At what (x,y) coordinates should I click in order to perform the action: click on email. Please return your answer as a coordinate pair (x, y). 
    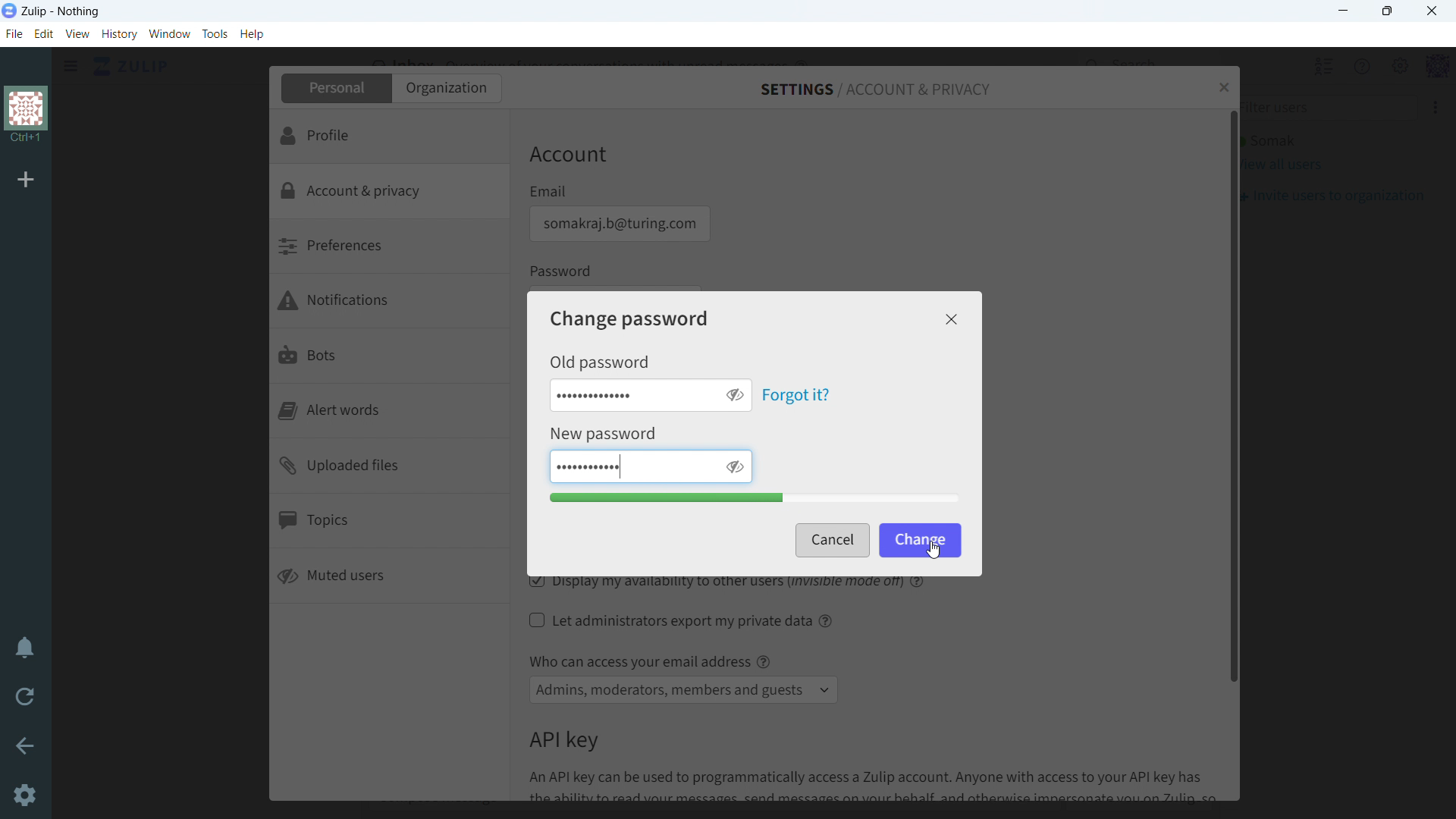
    Looking at the image, I should click on (618, 224).